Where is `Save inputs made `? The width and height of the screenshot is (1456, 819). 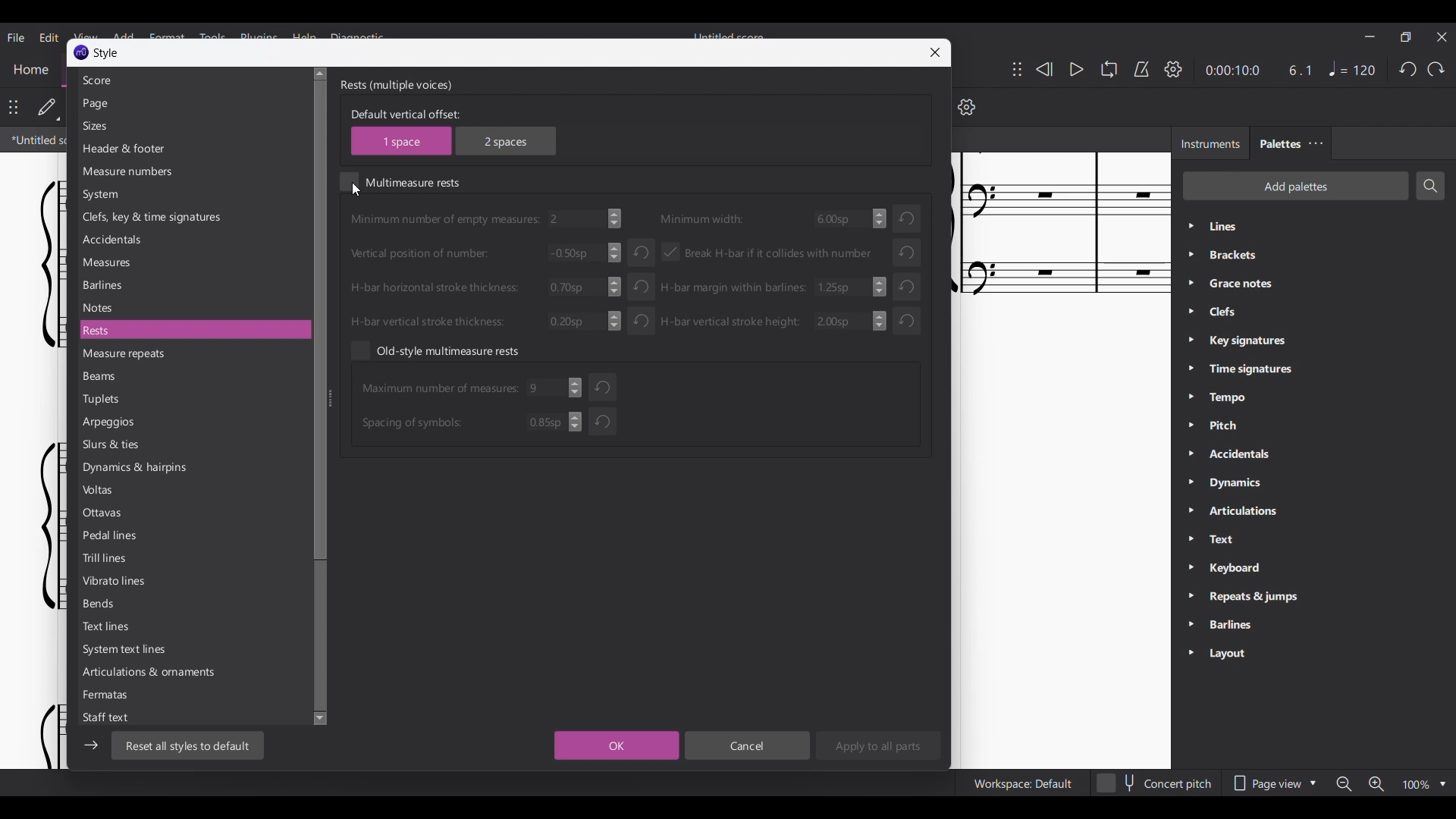 Save inputs made  is located at coordinates (617, 746).